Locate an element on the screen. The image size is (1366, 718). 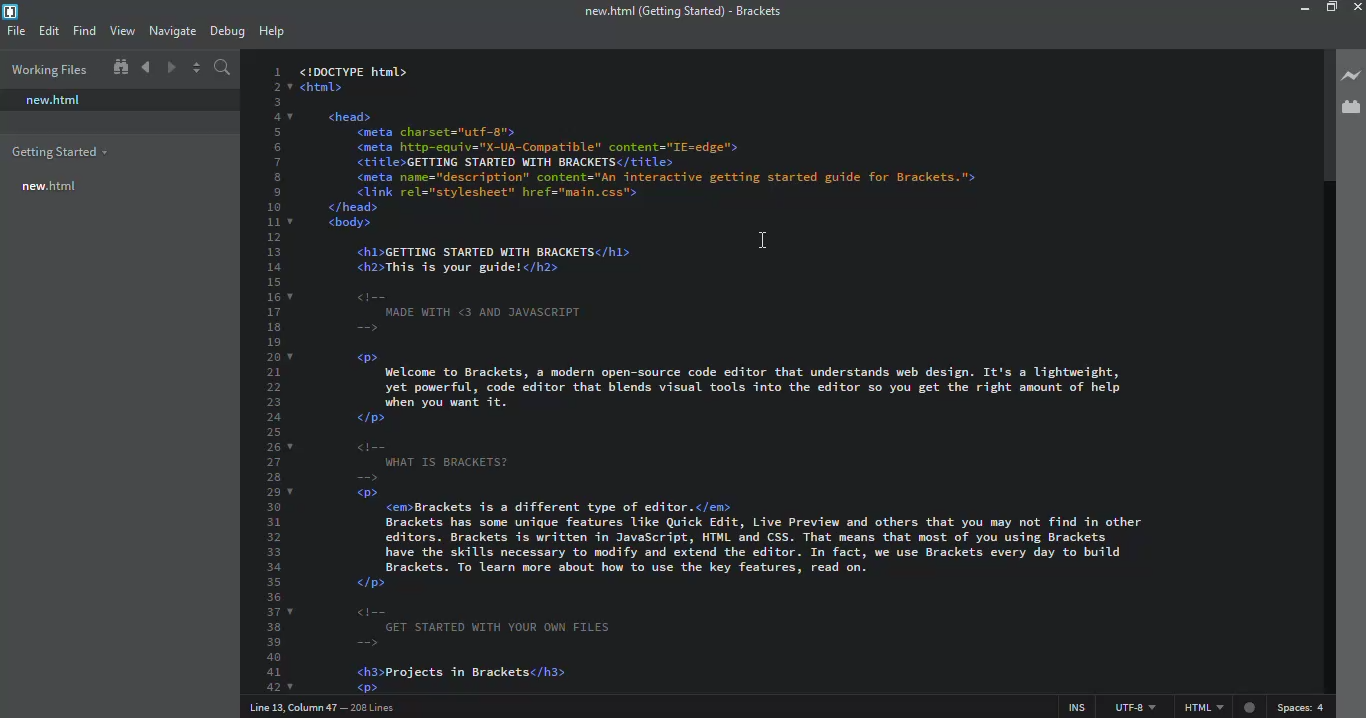
utf 8 is located at coordinates (1134, 704).